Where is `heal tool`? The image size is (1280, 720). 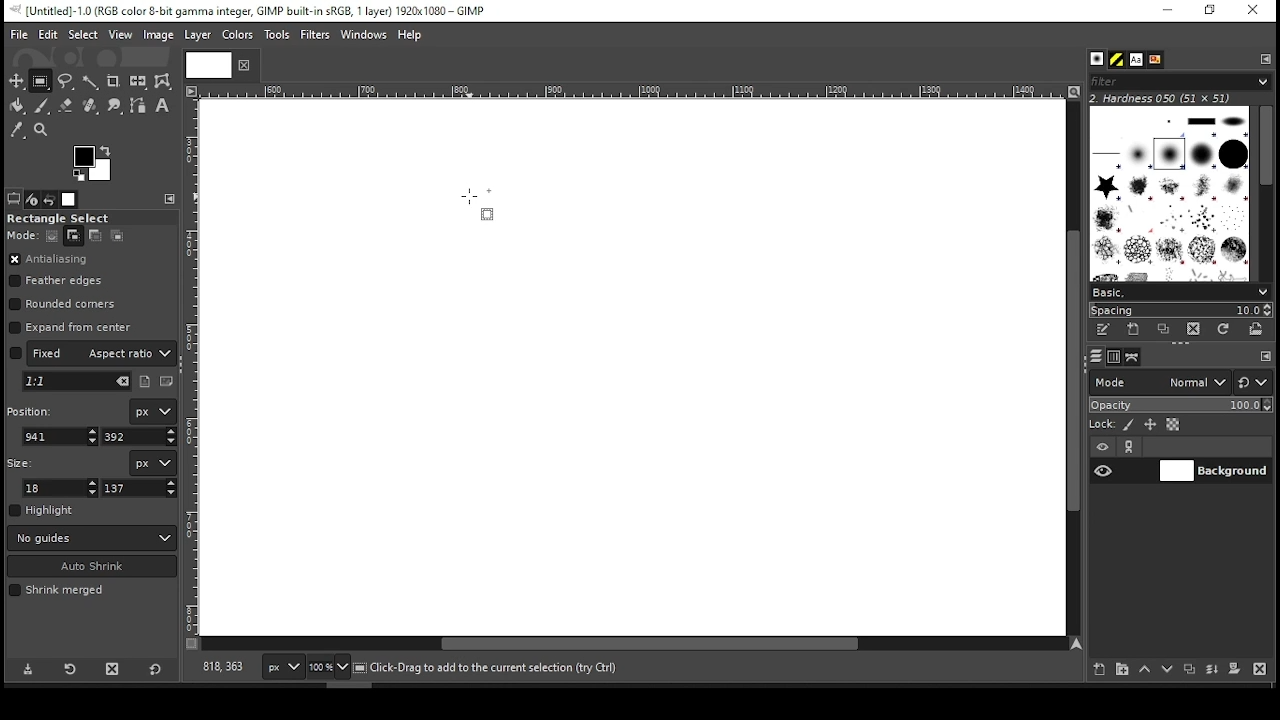
heal tool is located at coordinates (92, 107).